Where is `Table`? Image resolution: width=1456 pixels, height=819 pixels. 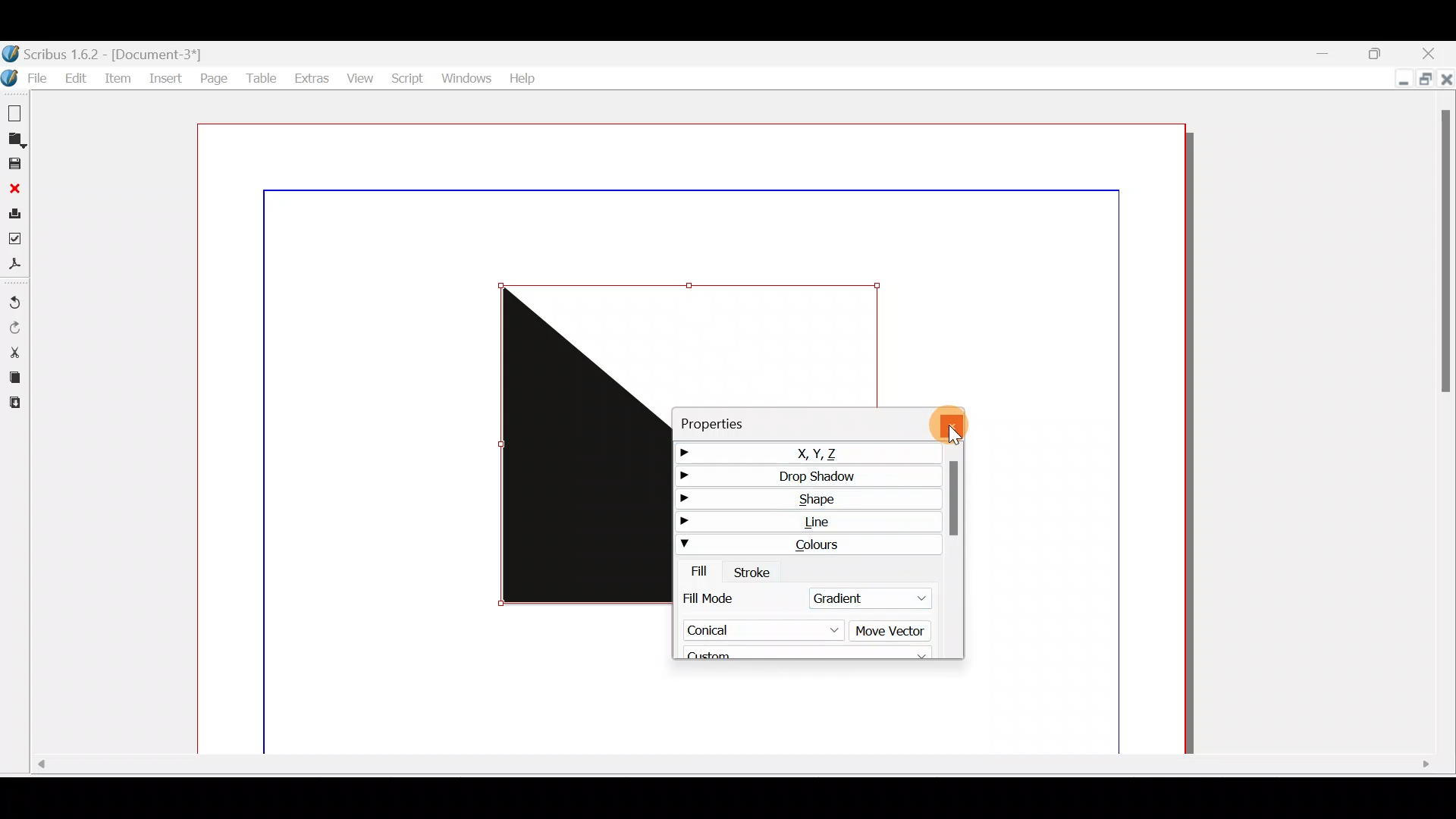
Table is located at coordinates (259, 77).